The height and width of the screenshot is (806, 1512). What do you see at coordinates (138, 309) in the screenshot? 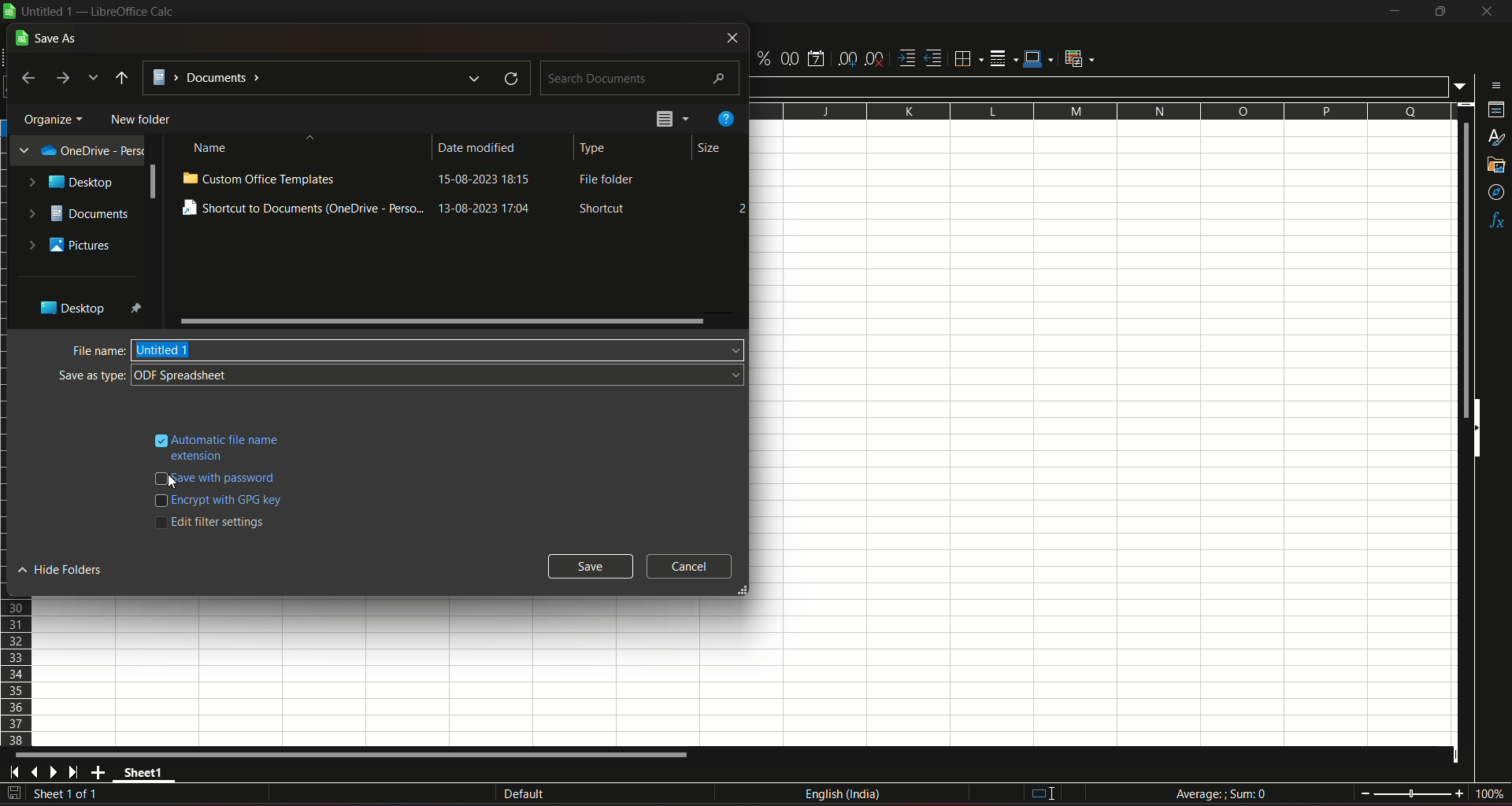
I see `pin` at bounding box center [138, 309].